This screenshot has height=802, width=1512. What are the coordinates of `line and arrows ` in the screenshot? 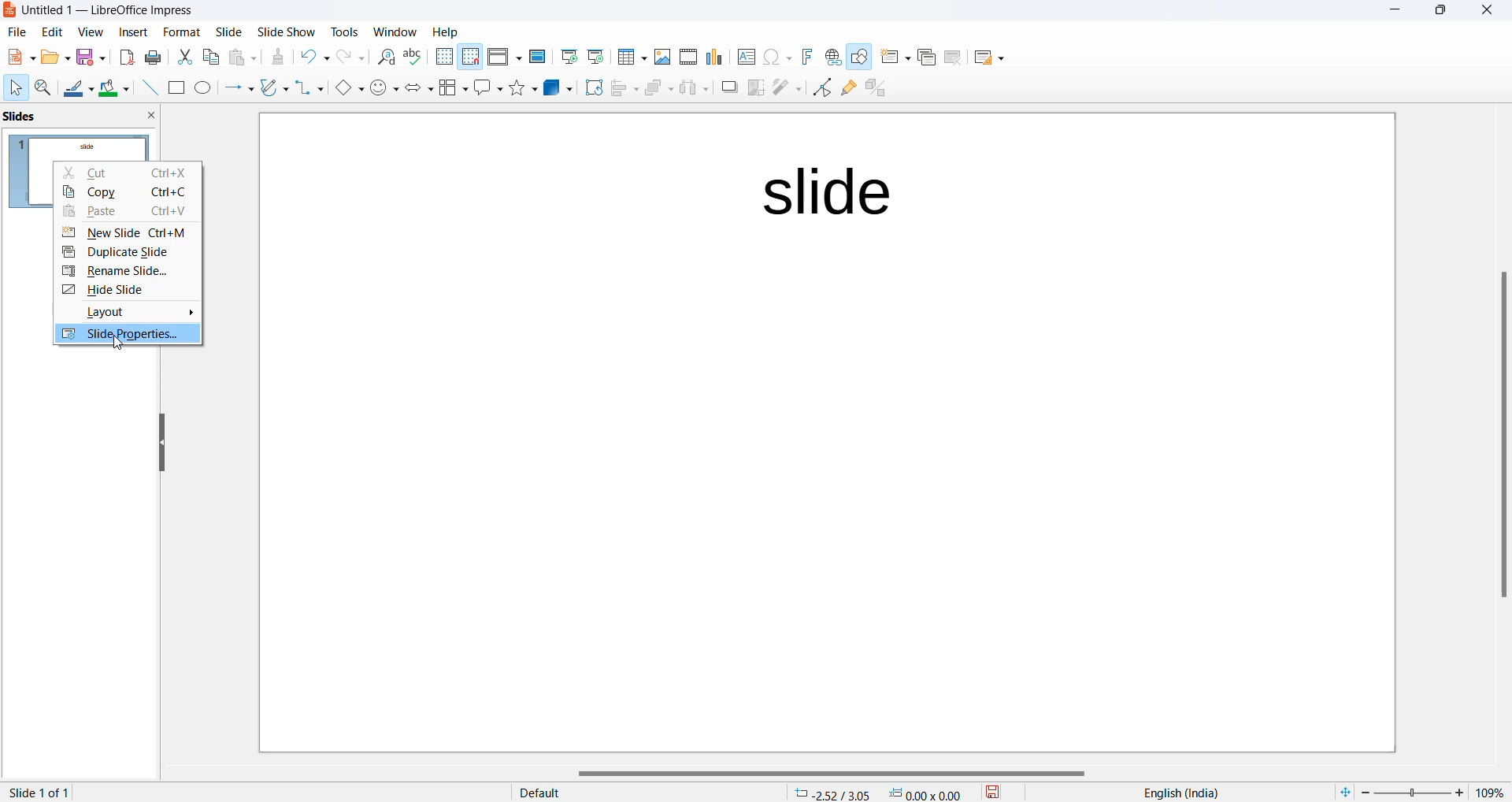 It's located at (239, 89).